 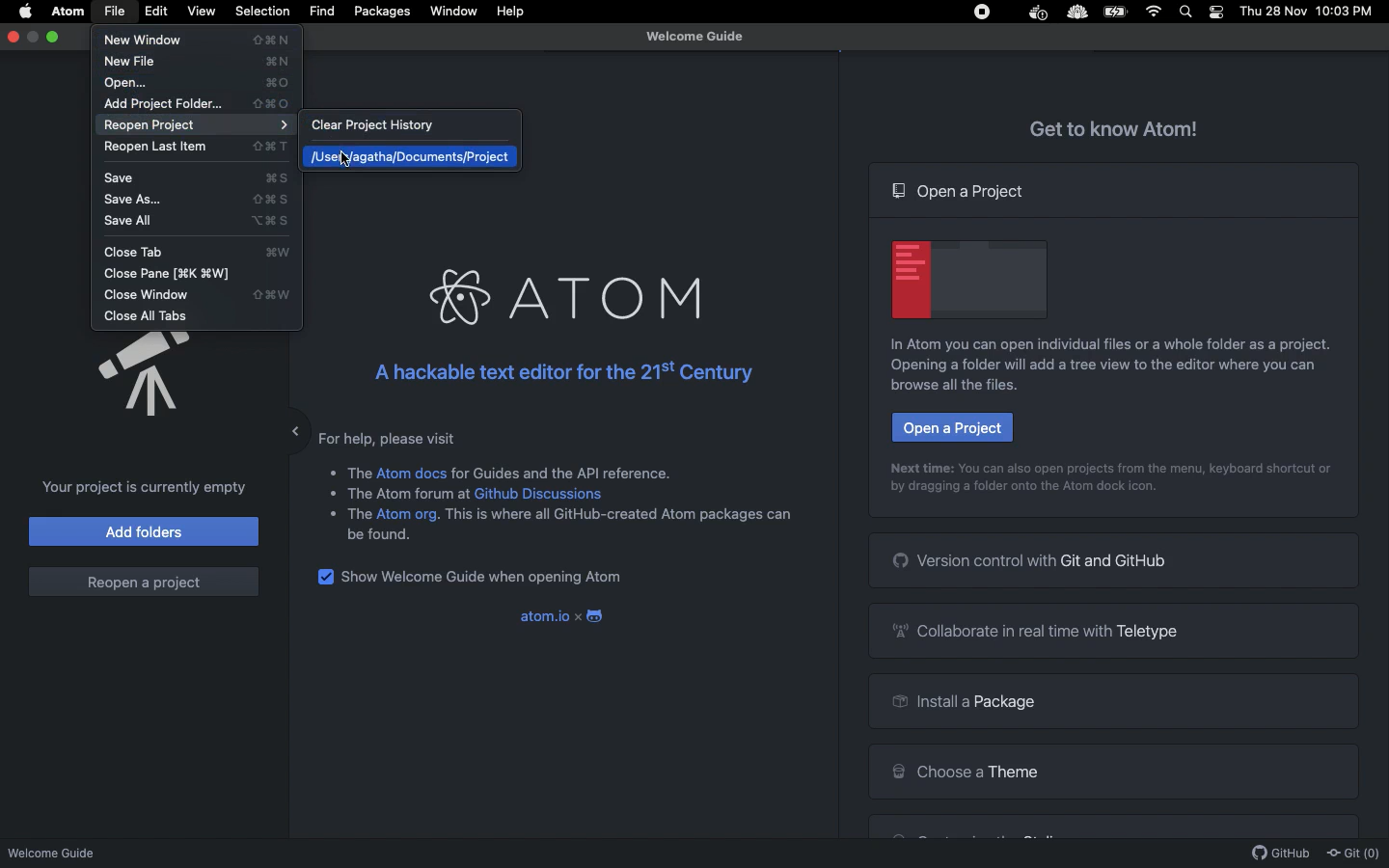 What do you see at coordinates (965, 769) in the screenshot?
I see `Choose a theme` at bounding box center [965, 769].